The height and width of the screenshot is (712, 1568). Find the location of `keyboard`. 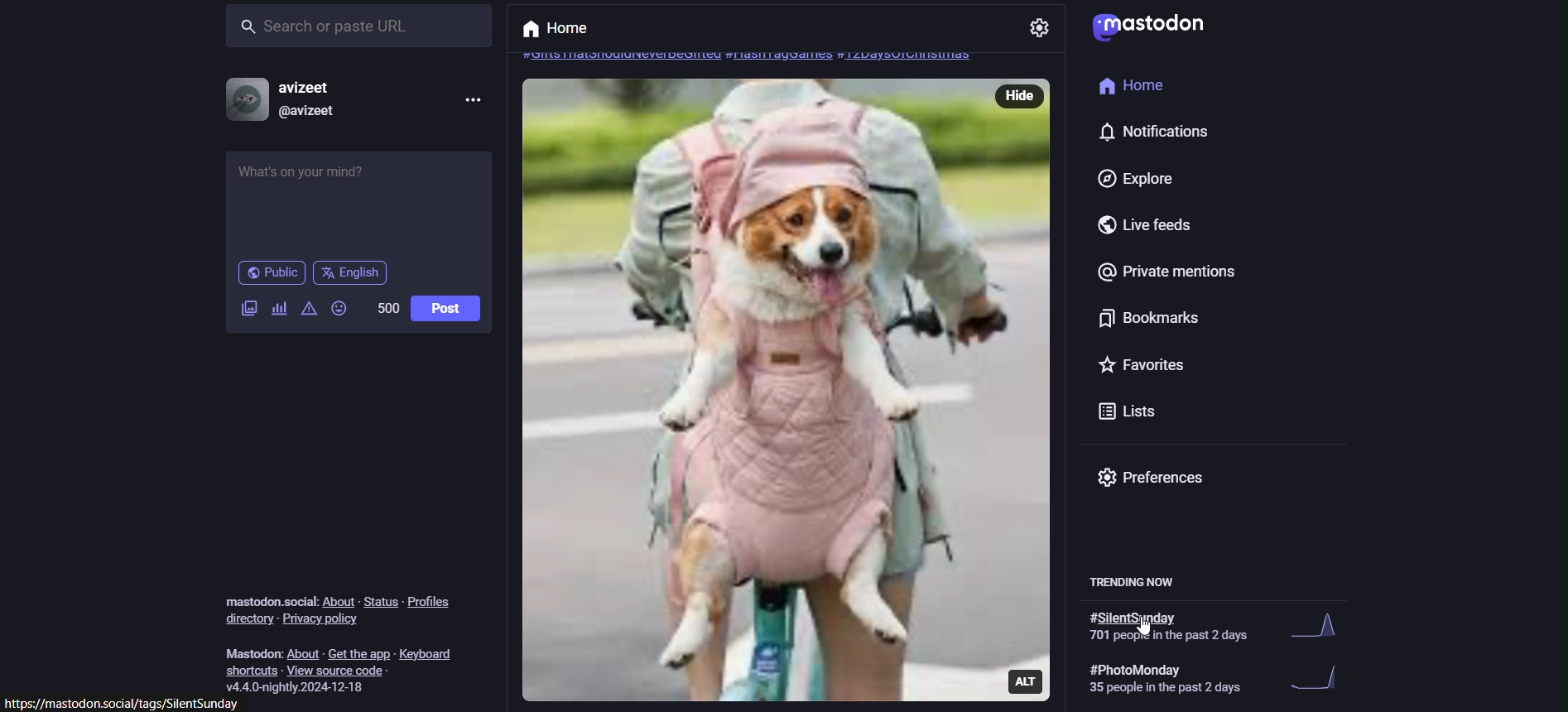

keyboard is located at coordinates (433, 654).